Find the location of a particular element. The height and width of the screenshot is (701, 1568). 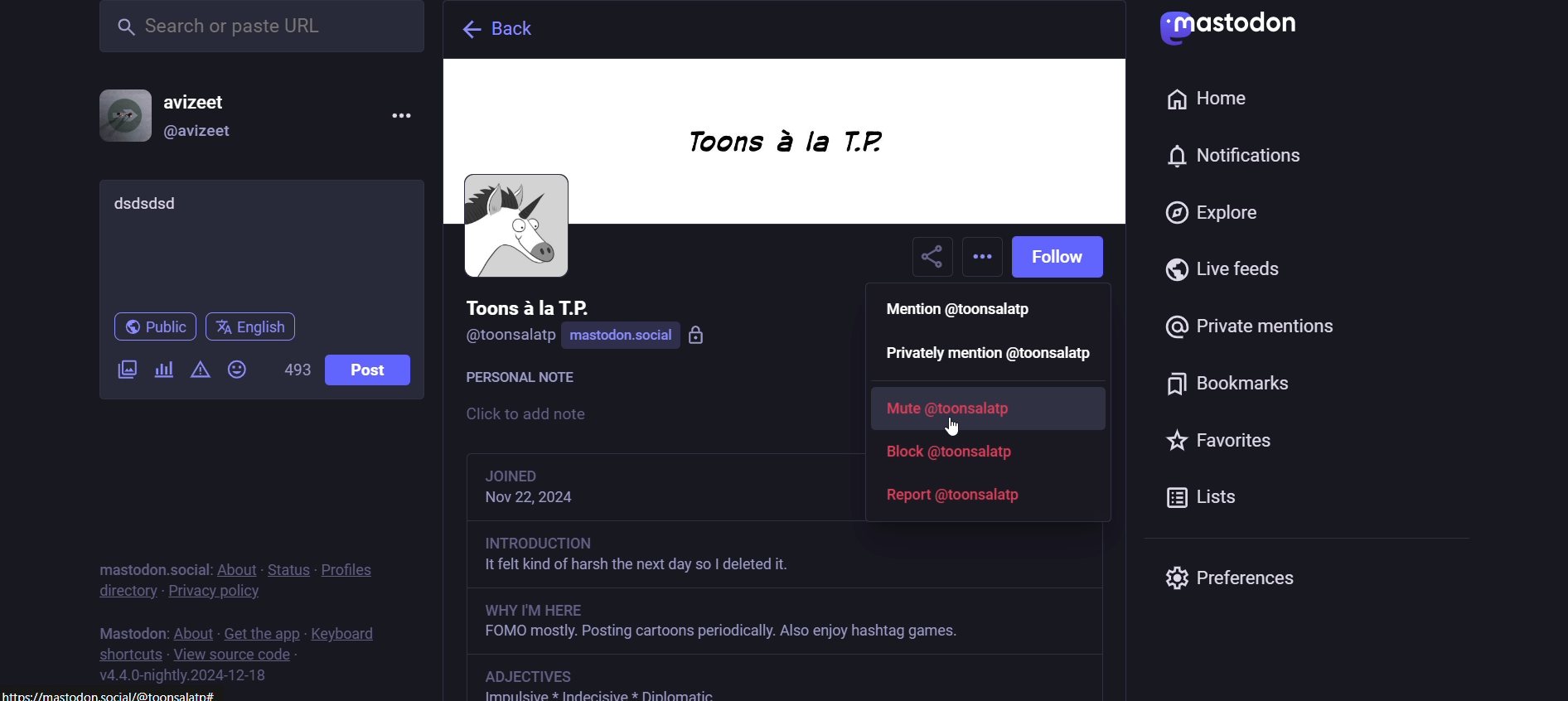

profiles is located at coordinates (346, 565).